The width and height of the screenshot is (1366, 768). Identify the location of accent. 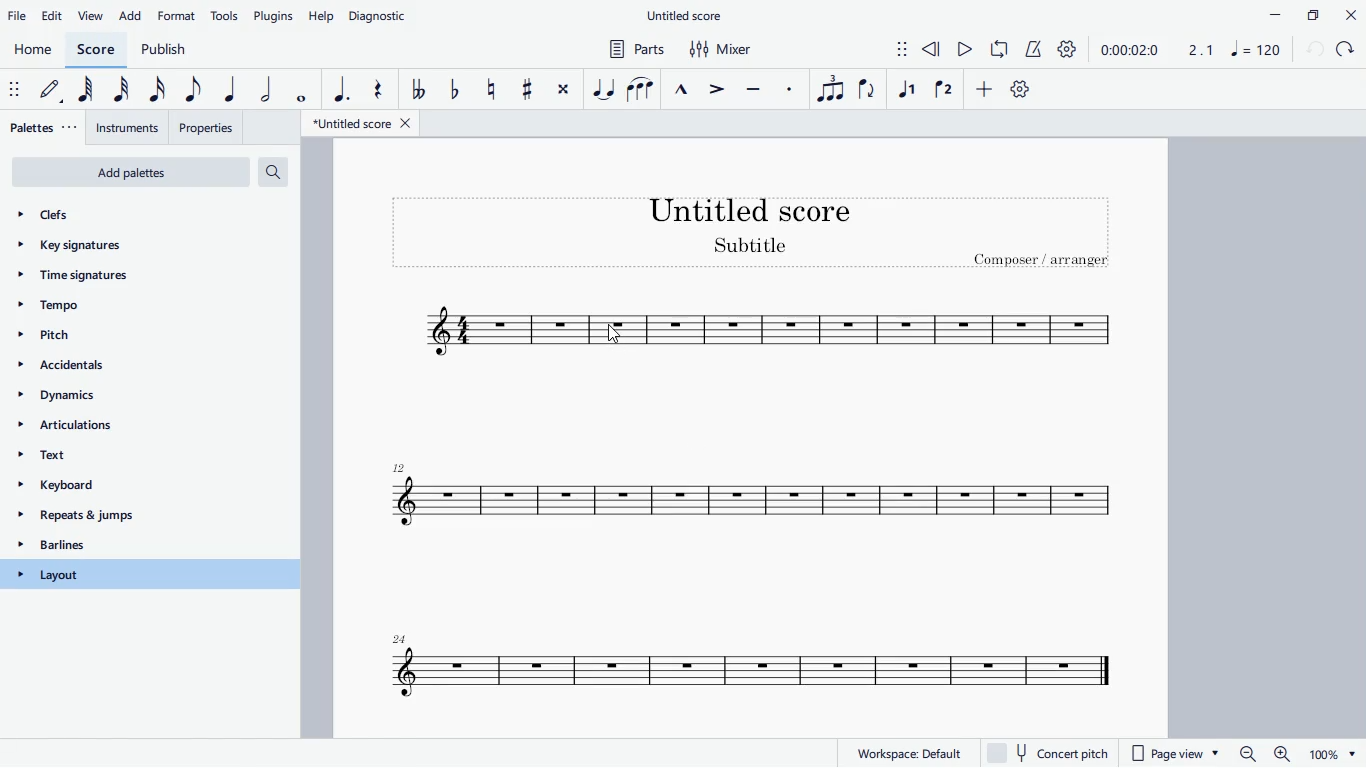
(719, 90).